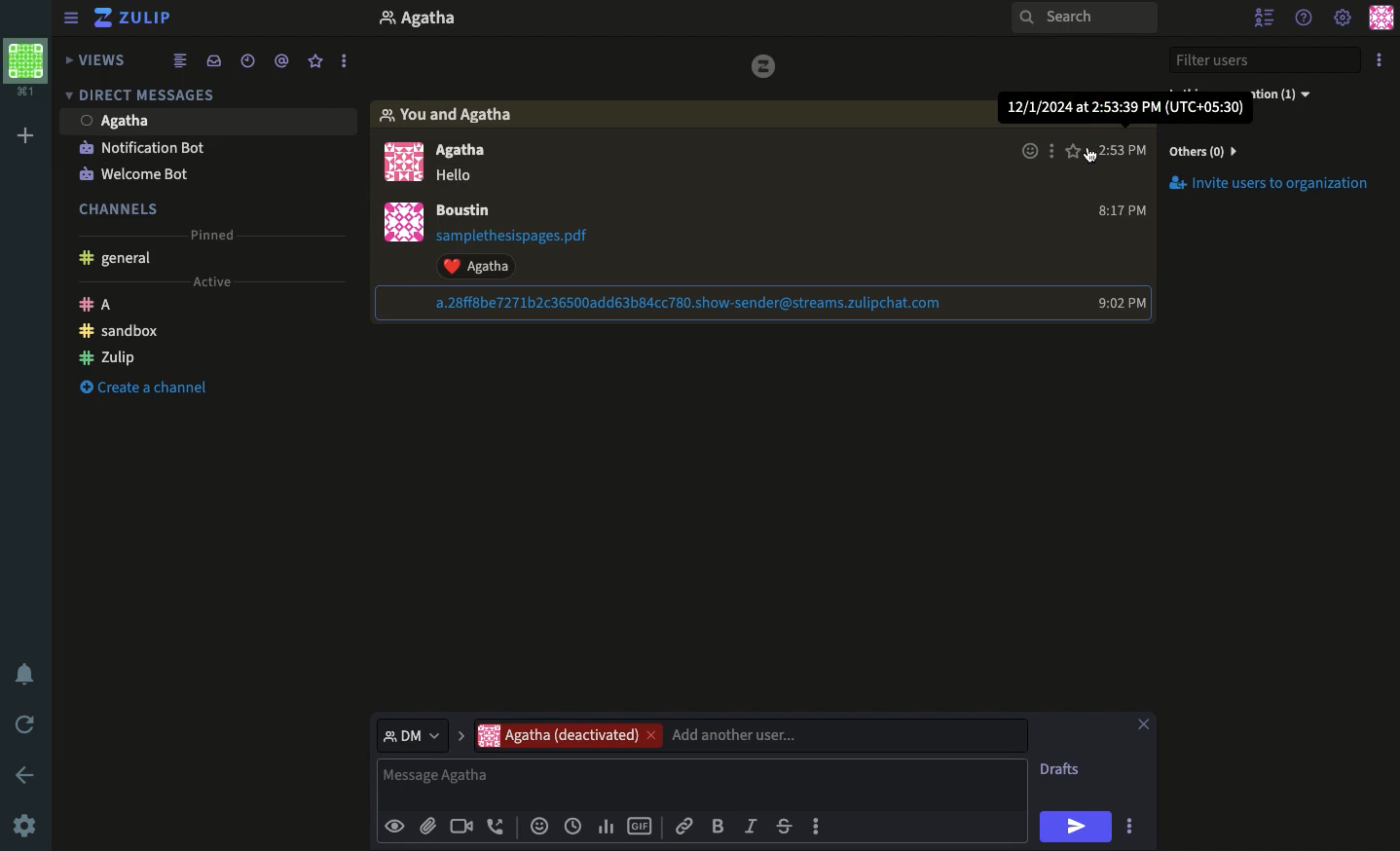  Describe the element at coordinates (608, 828) in the screenshot. I see `Chart` at that location.